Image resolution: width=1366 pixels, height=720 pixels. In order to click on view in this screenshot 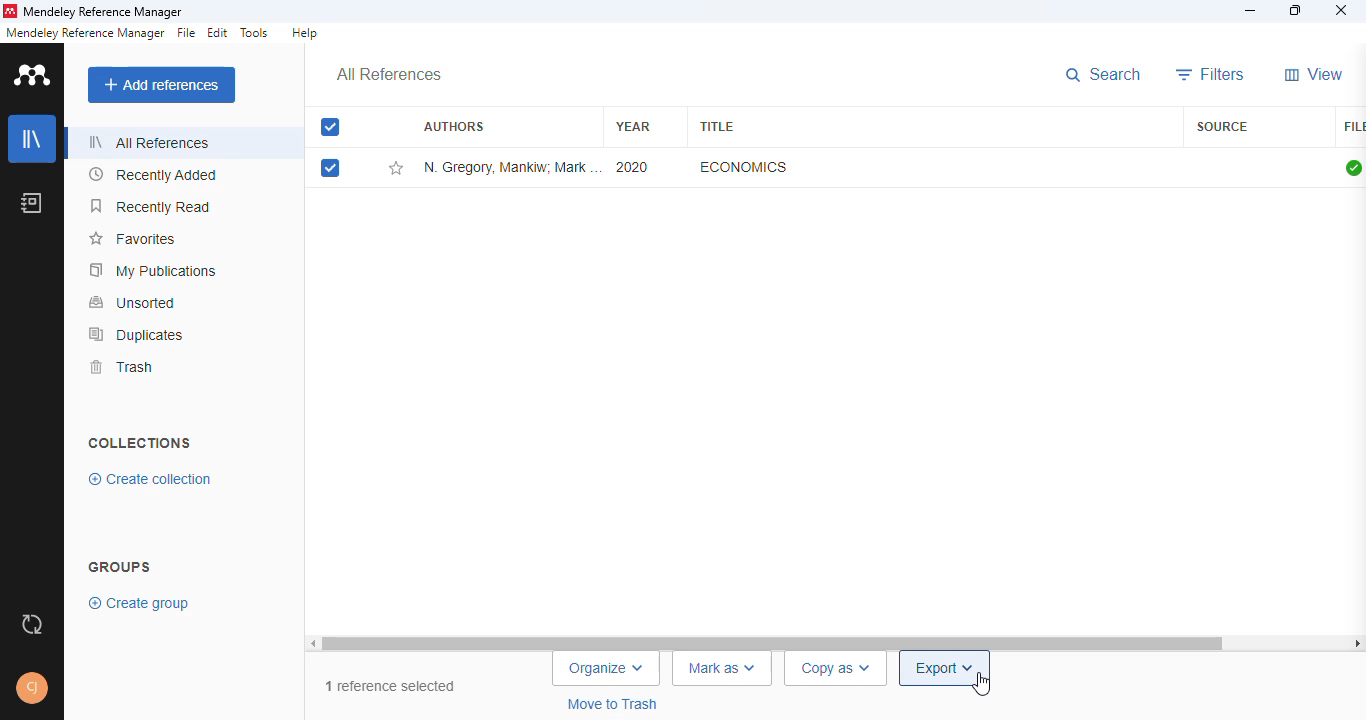, I will do `click(1314, 74)`.